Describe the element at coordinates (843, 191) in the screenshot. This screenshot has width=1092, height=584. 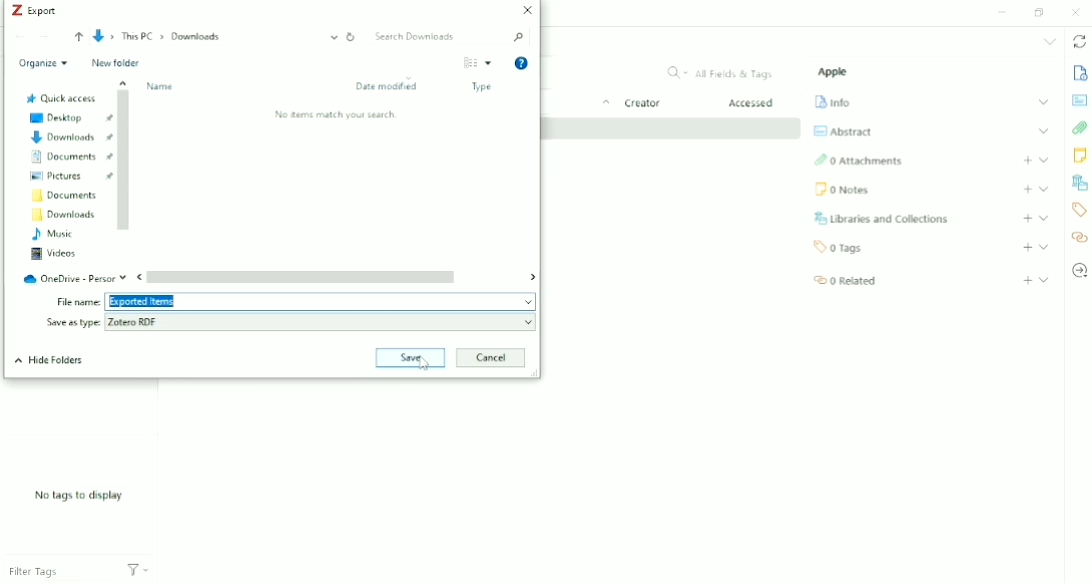
I see `Notes` at that location.